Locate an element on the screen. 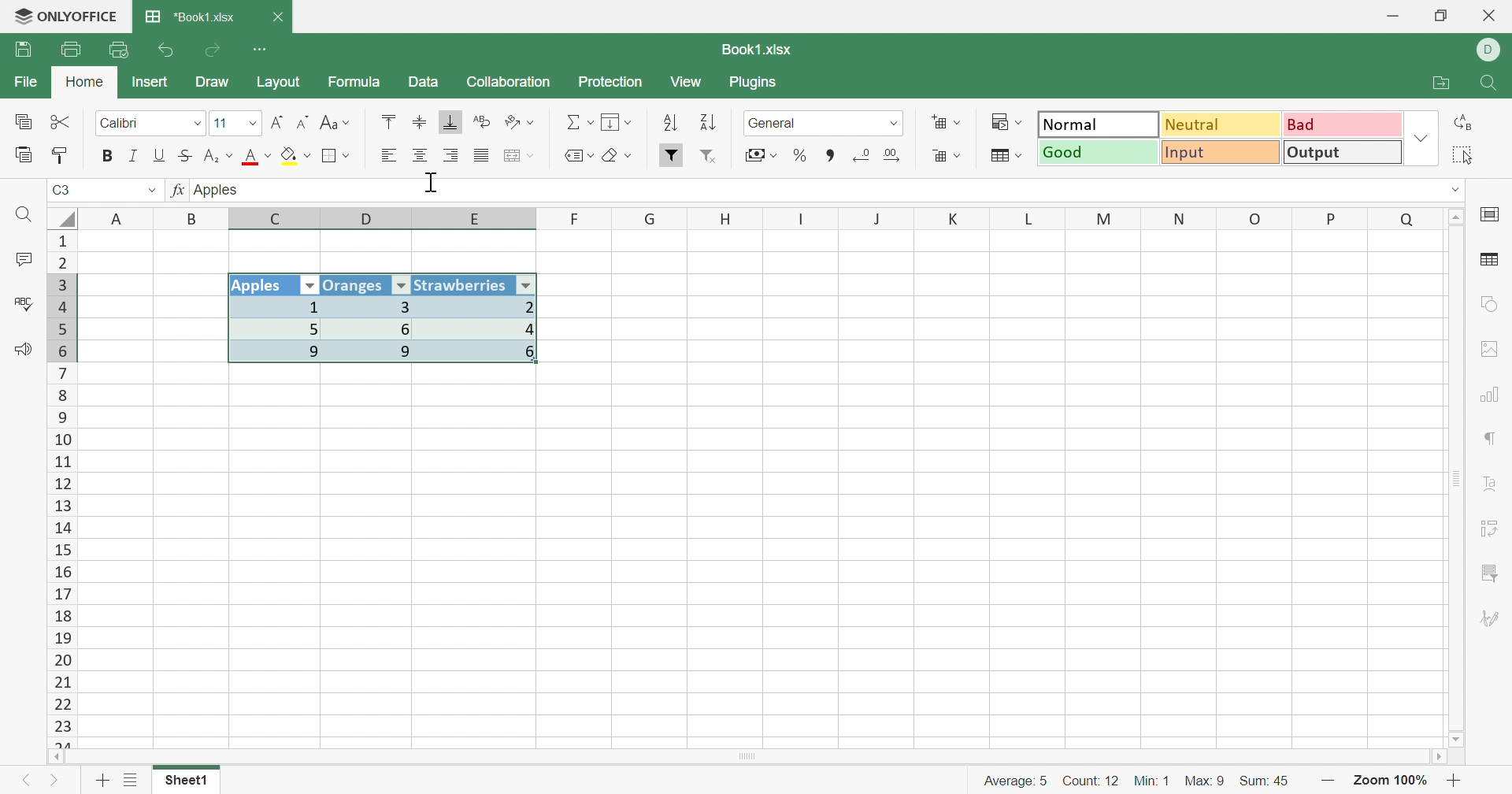 The image size is (1512, 794). Customize quick access toolbar is located at coordinates (261, 47).